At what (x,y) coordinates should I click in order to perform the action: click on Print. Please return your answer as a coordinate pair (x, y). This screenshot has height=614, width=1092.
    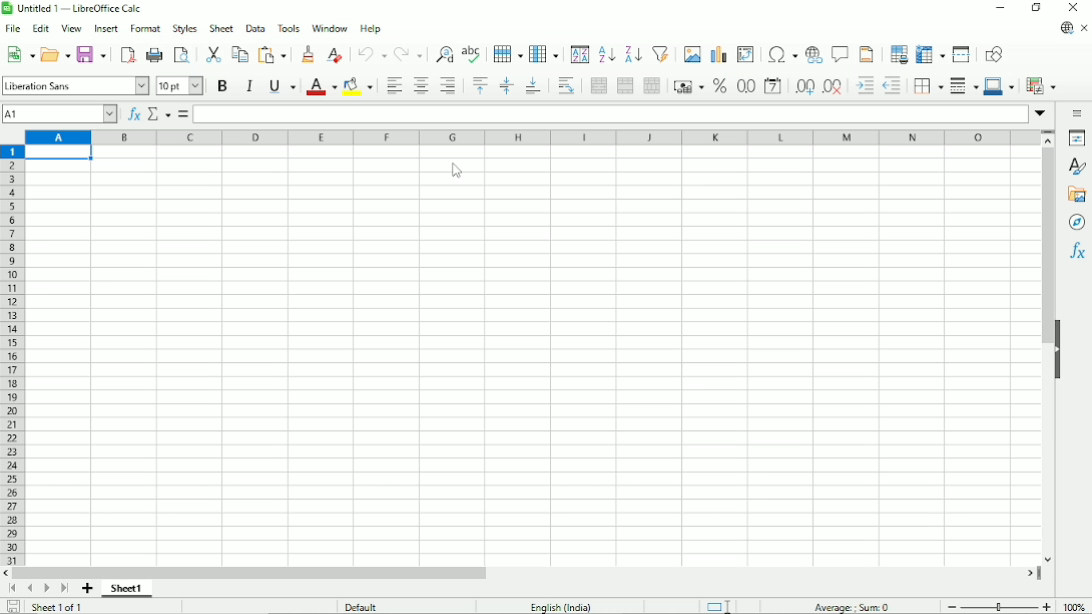
    Looking at the image, I should click on (154, 55).